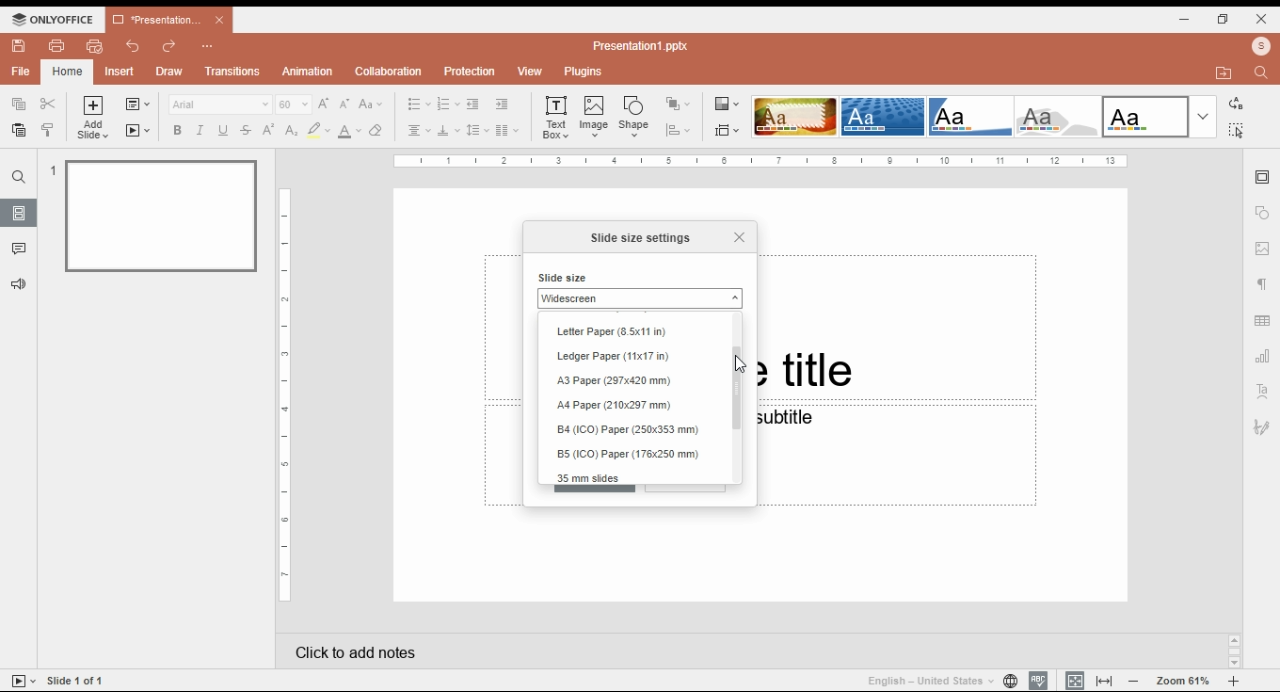  Describe the element at coordinates (635, 116) in the screenshot. I see `insert shape` at that location.